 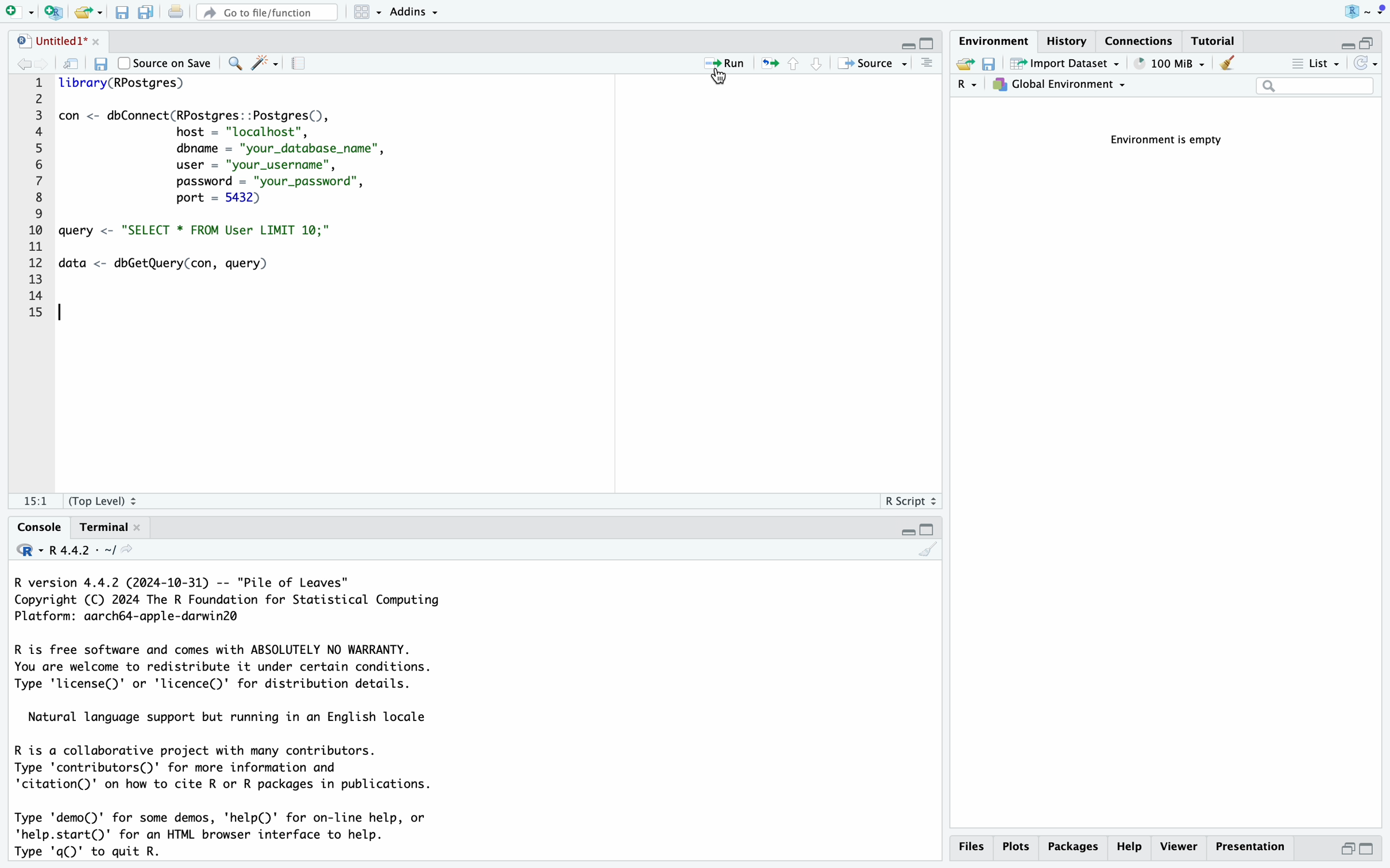 I want to click on description of R and license, so click(x=224, y=666).